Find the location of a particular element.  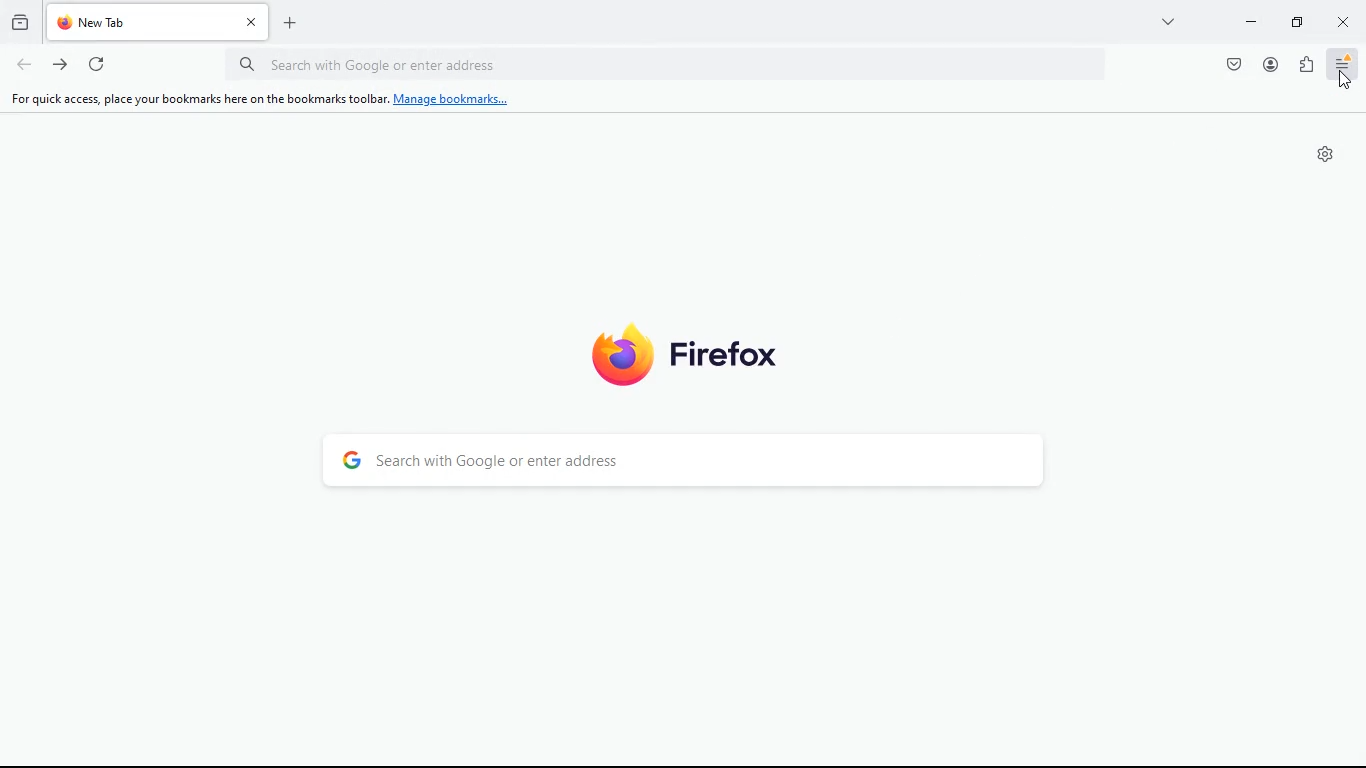

maximize is located at coordinates (1294, 21).